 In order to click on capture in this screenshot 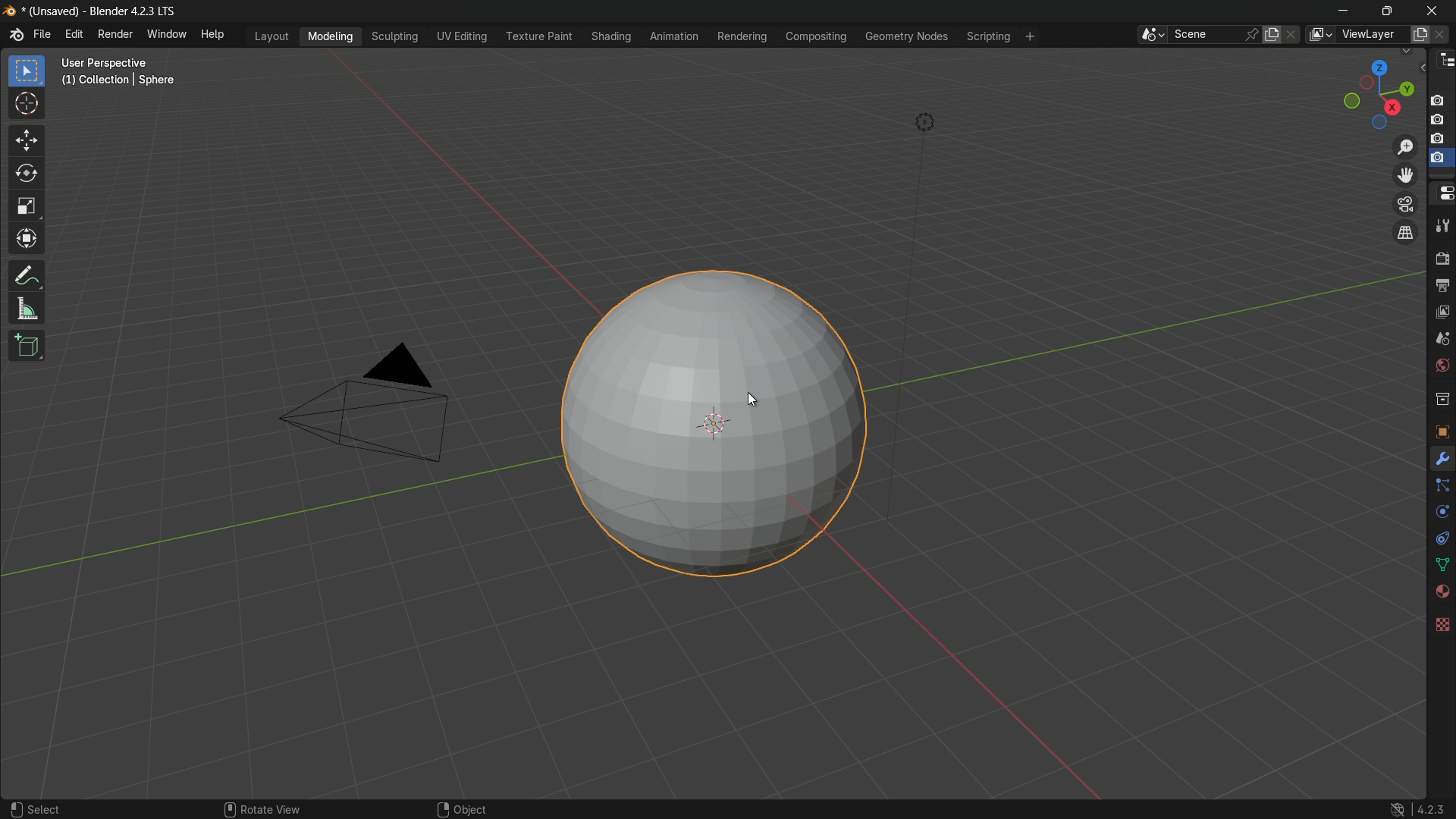, I will do `click(1441, 121)`.